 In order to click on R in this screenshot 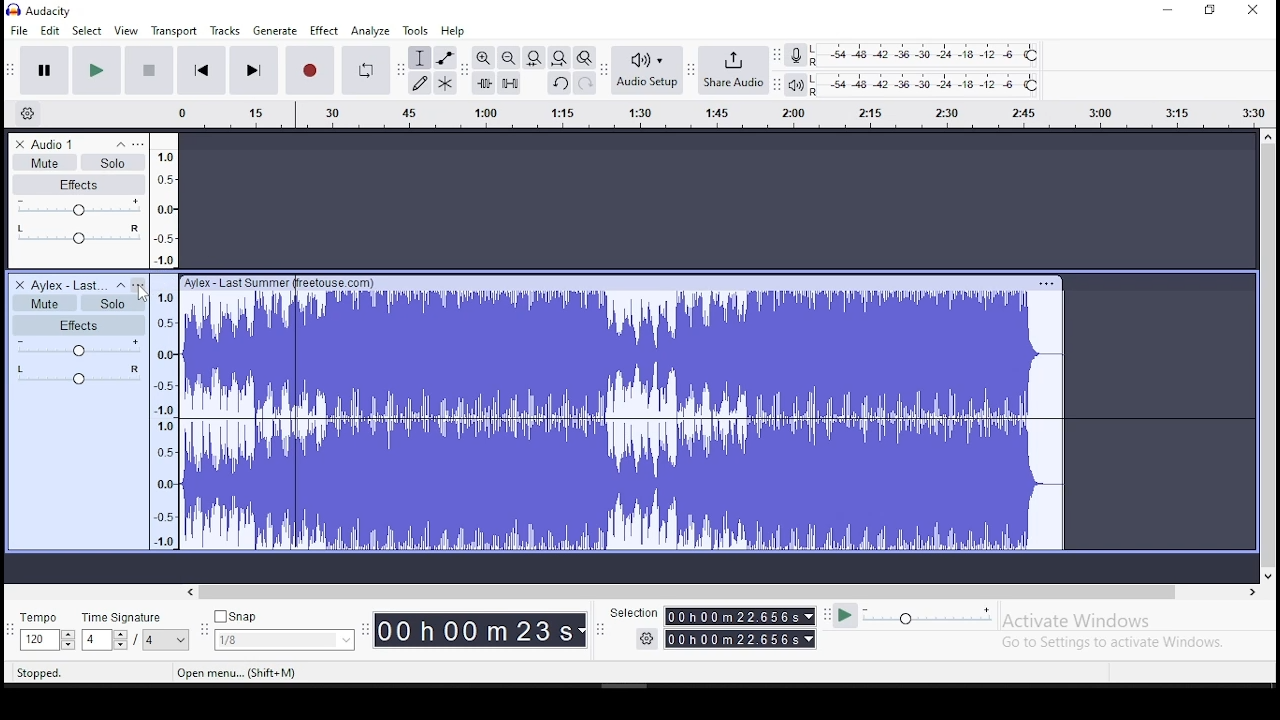, I will do `click(817, 93)`.